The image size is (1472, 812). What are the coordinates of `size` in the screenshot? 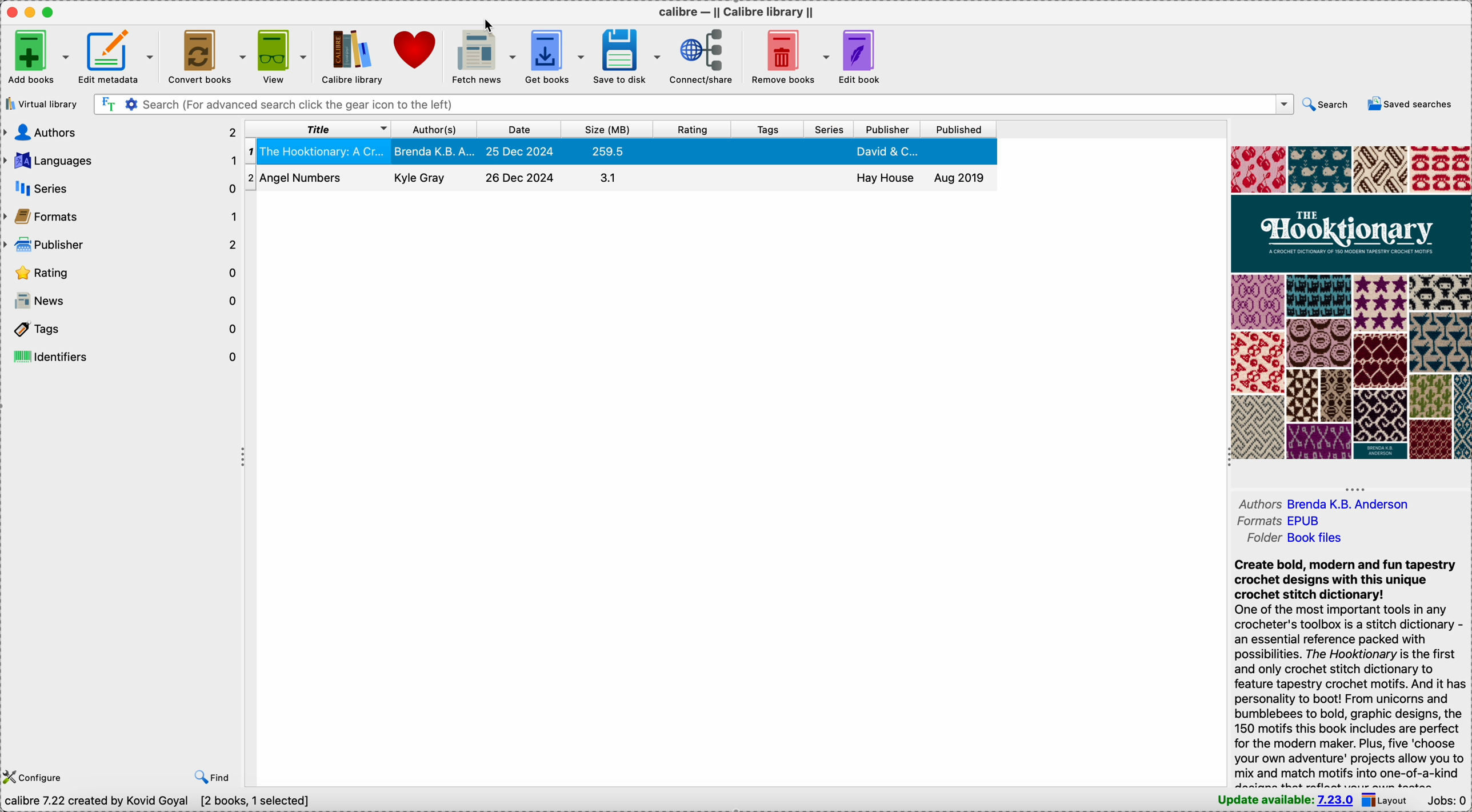 It's located at (606, 129).